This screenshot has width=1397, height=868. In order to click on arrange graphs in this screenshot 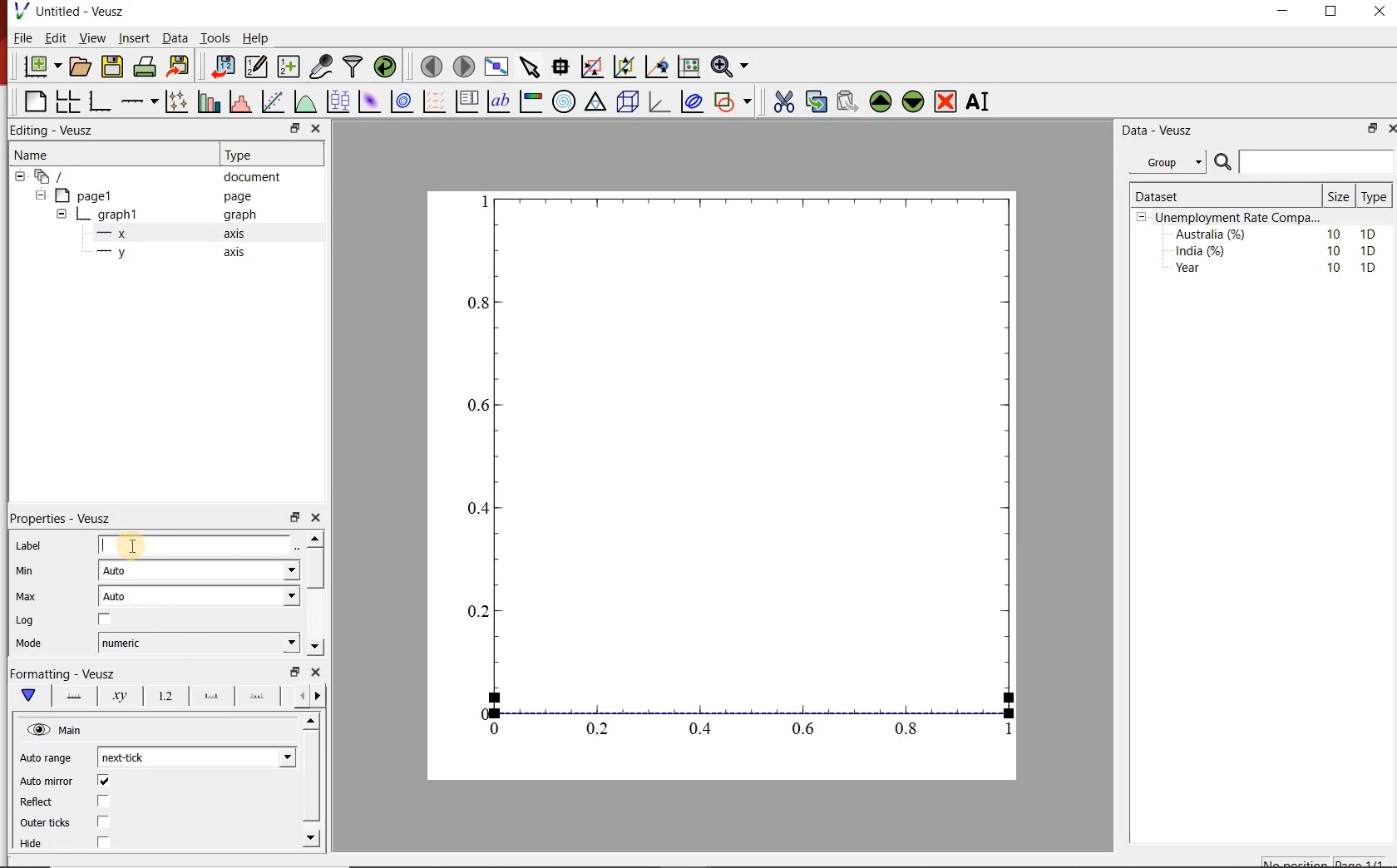, I will do `click(67, 101)`.